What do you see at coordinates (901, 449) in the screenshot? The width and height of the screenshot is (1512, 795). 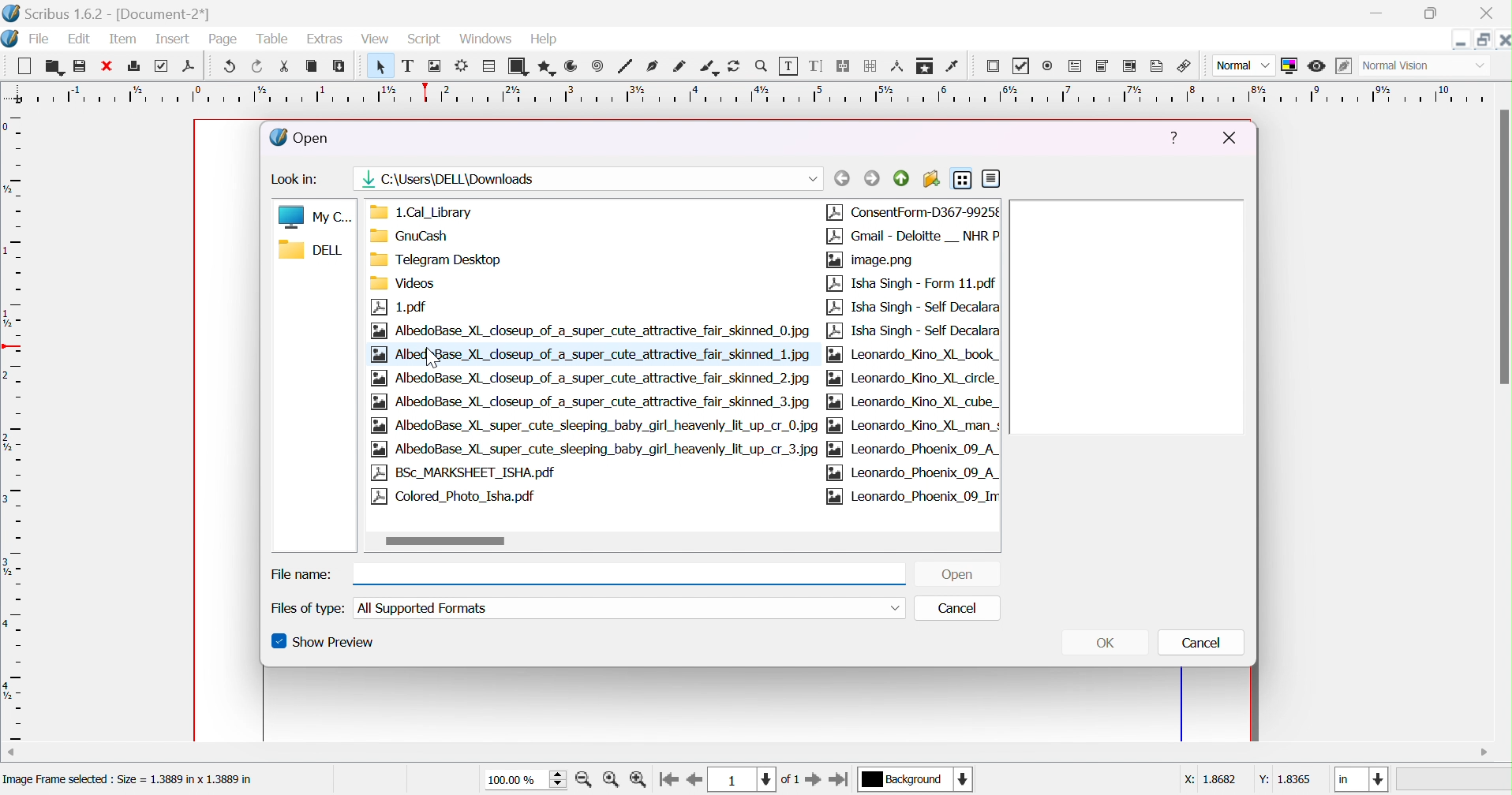 I see `pg [aa] Leonardo_Phoenix_09_A_` at bounding box center [901, 449].